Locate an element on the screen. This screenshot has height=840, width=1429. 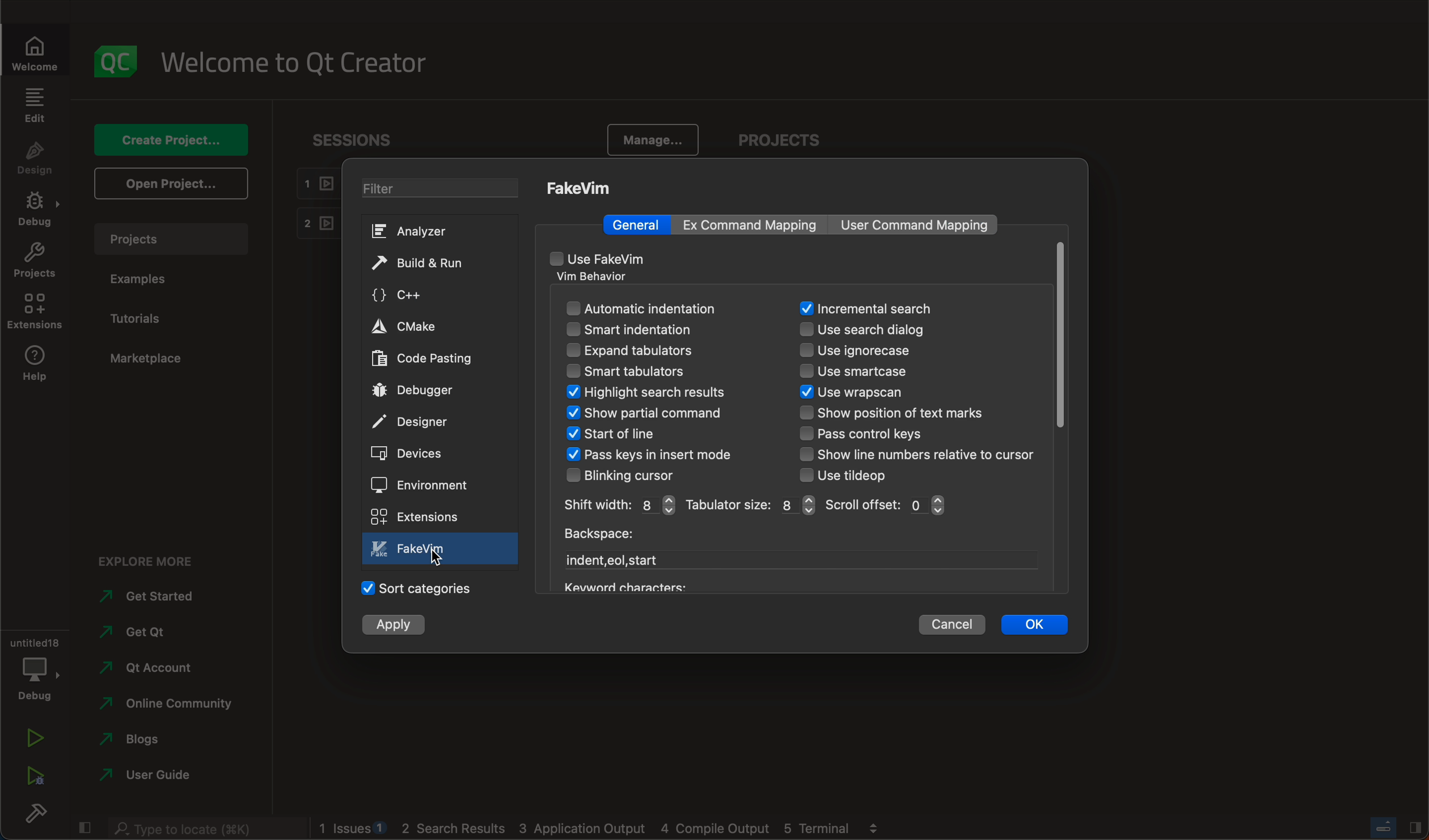
command mapping is located at coordinates (917, 226).